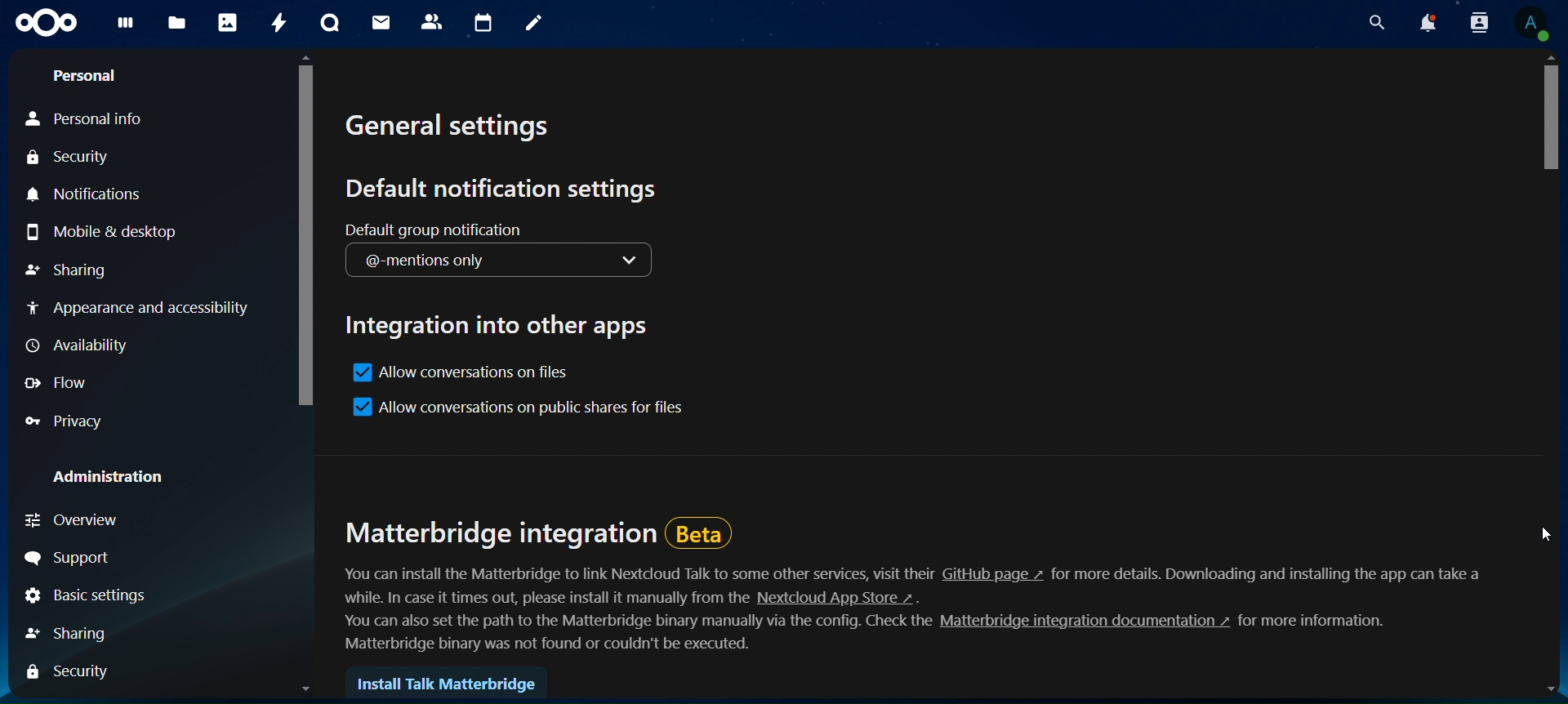 This screenshot has width=1568, height=704. I want to click on availability , so click(78, 346).